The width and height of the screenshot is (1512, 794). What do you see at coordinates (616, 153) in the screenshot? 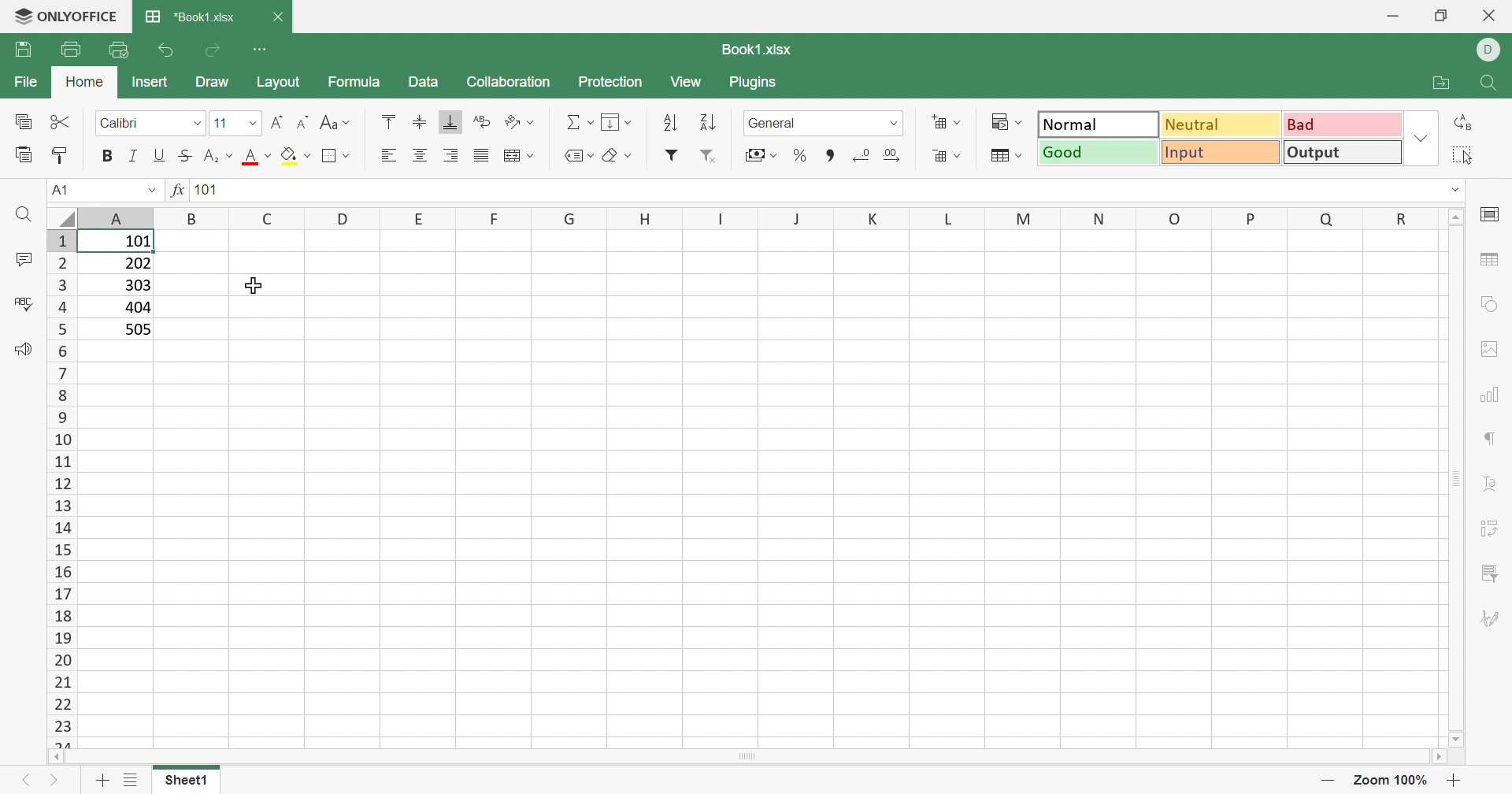
I see `Clear` at bounding box center [616, 153].